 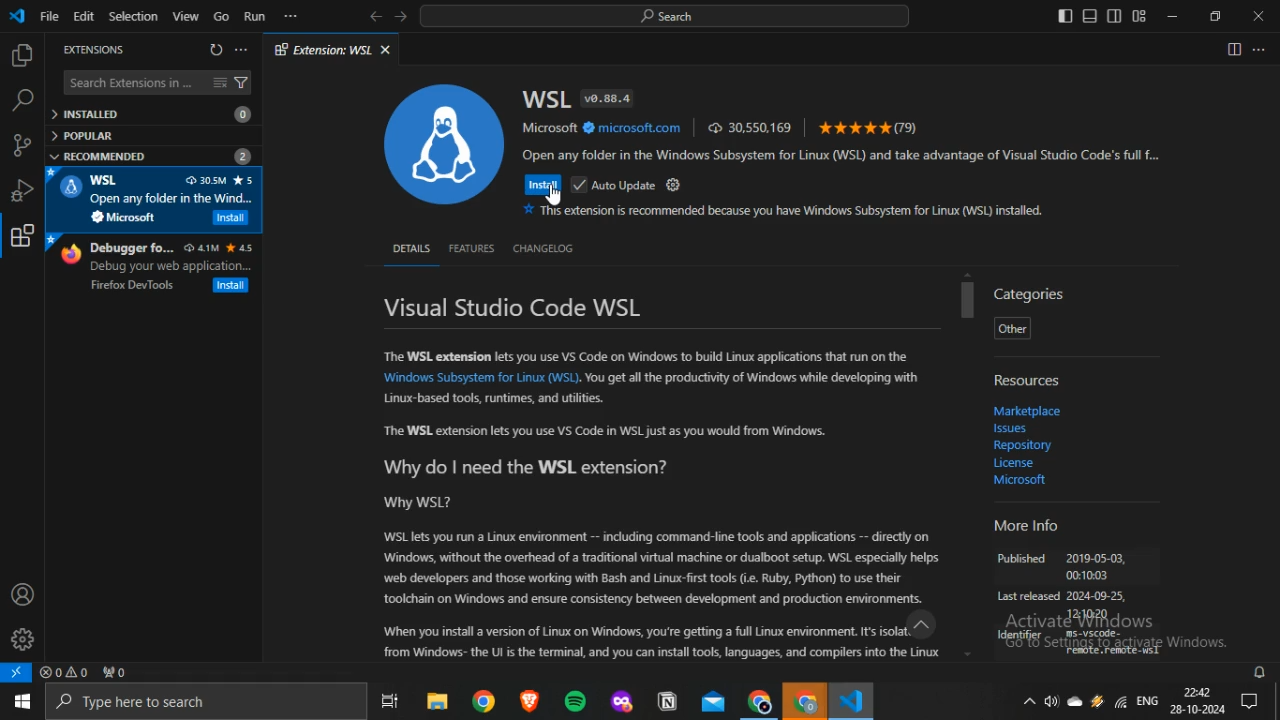 I want to click on Wifi, so click(x=1119, y=701).